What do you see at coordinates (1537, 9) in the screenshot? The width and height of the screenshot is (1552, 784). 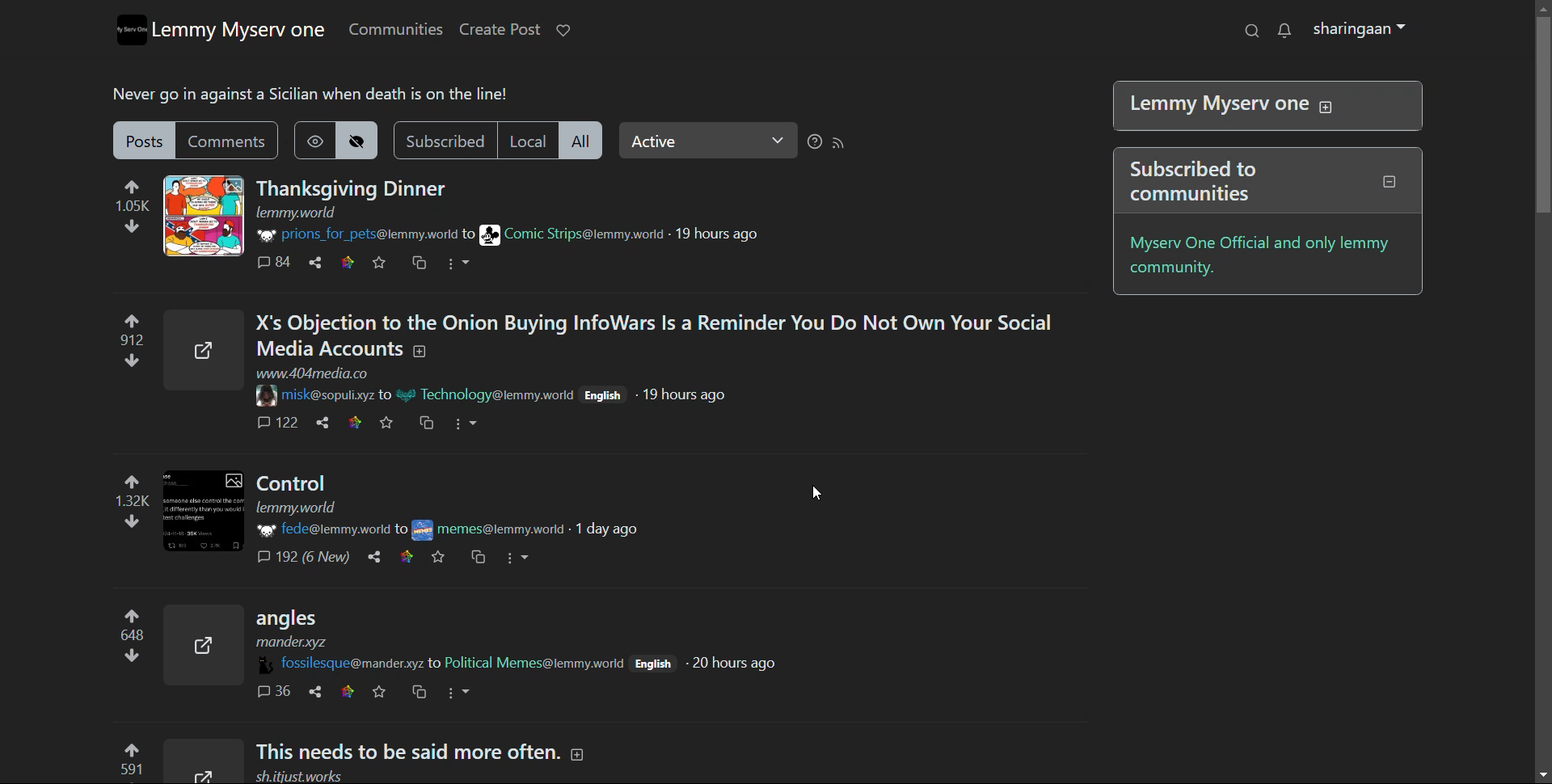 I see `Scroll arrow up` at bounding box center [1537, 9].